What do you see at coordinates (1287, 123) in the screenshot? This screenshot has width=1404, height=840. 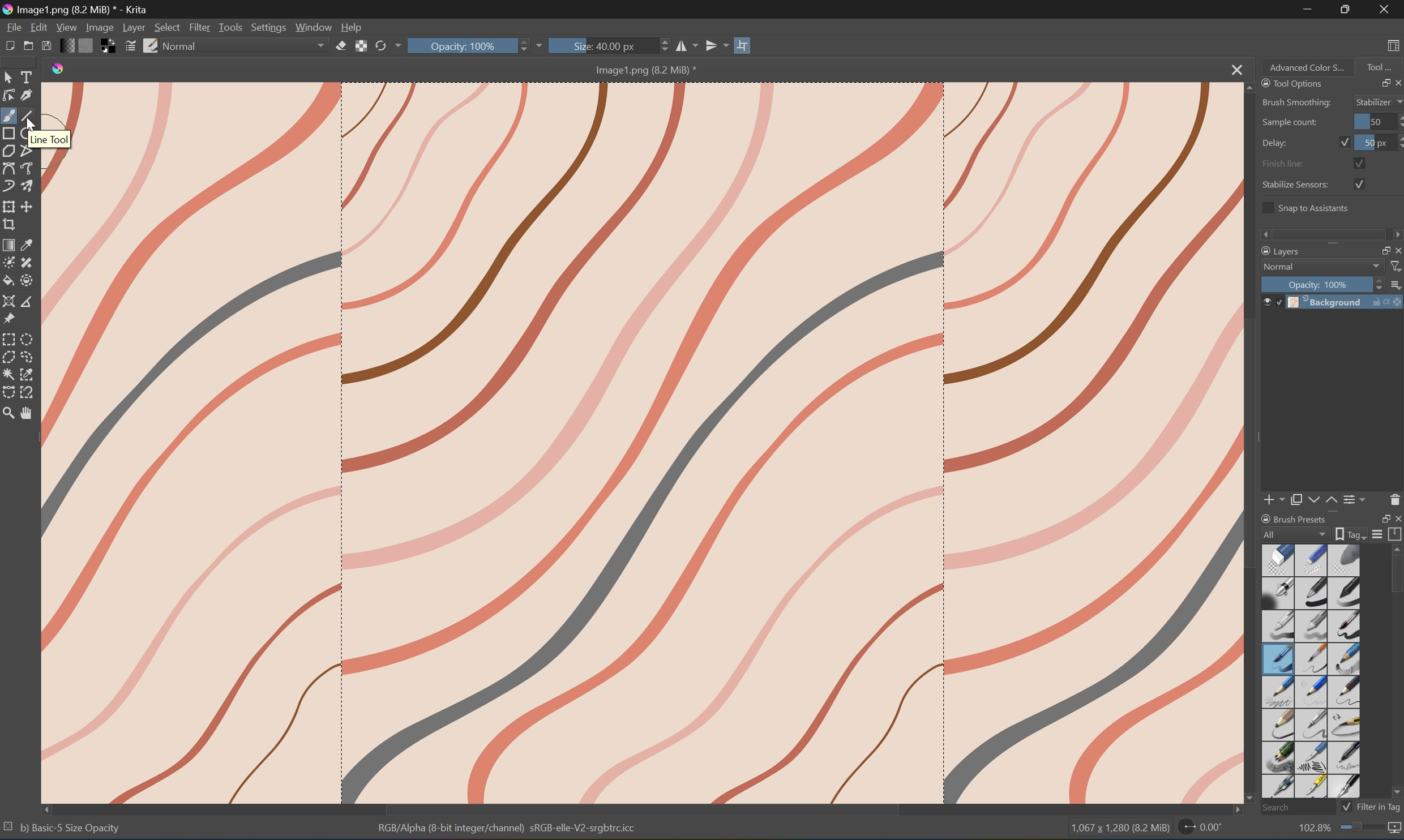 I see `Sample count:` at bounding box center [1287, 123].